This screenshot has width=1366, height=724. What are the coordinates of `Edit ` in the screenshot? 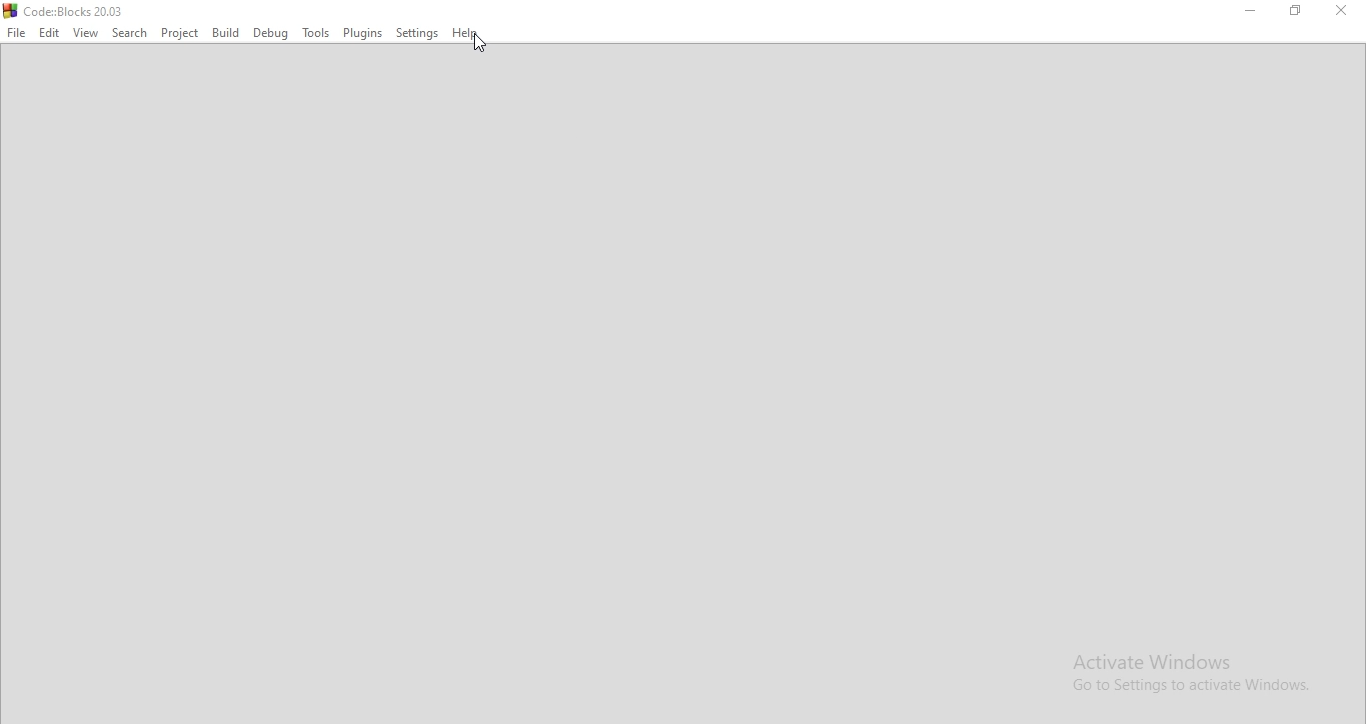 It's located at (49, 34).